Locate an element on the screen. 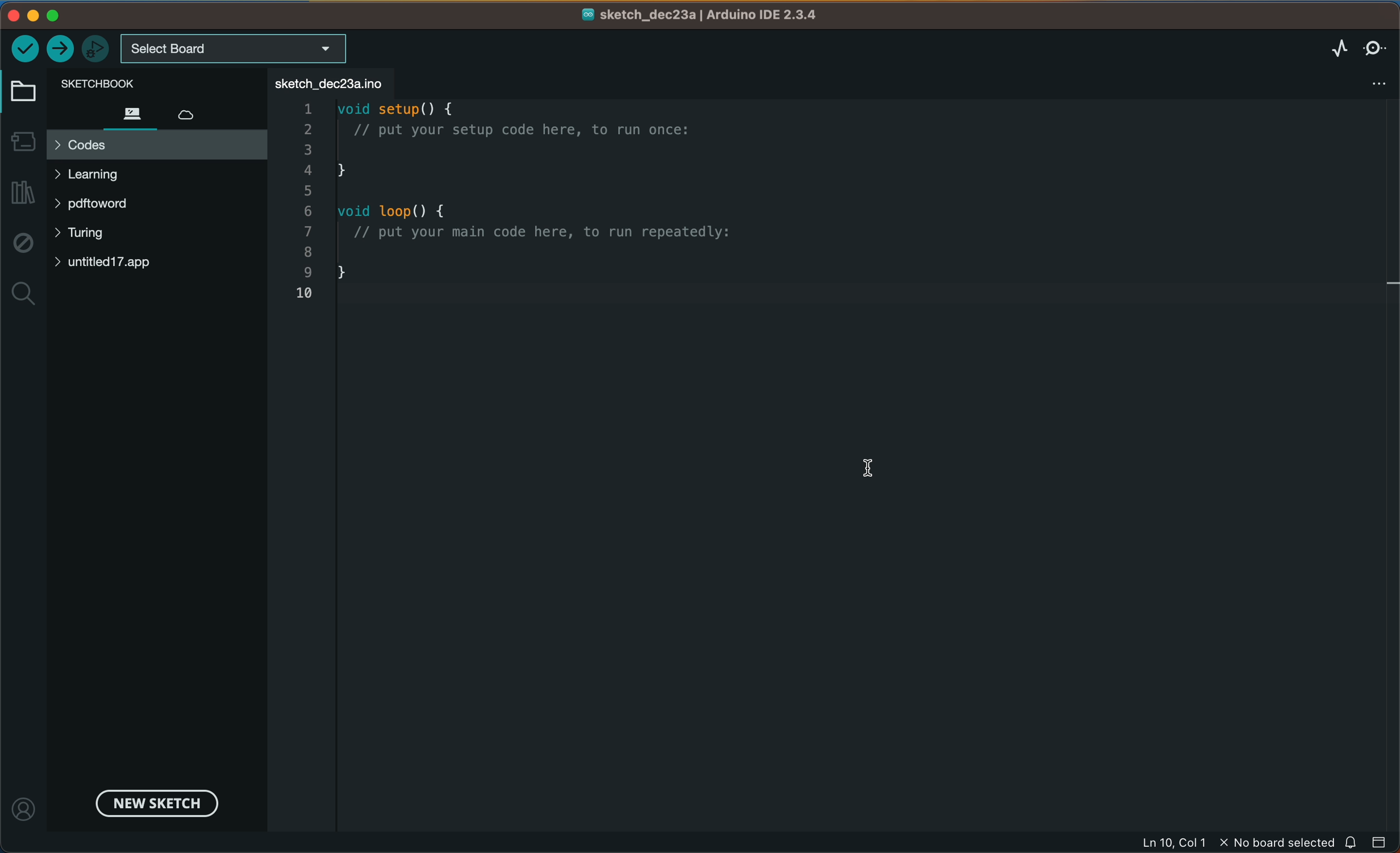 The height and width of the screenshot is (853, 1400). library manager is located at coordinates (22, 192).